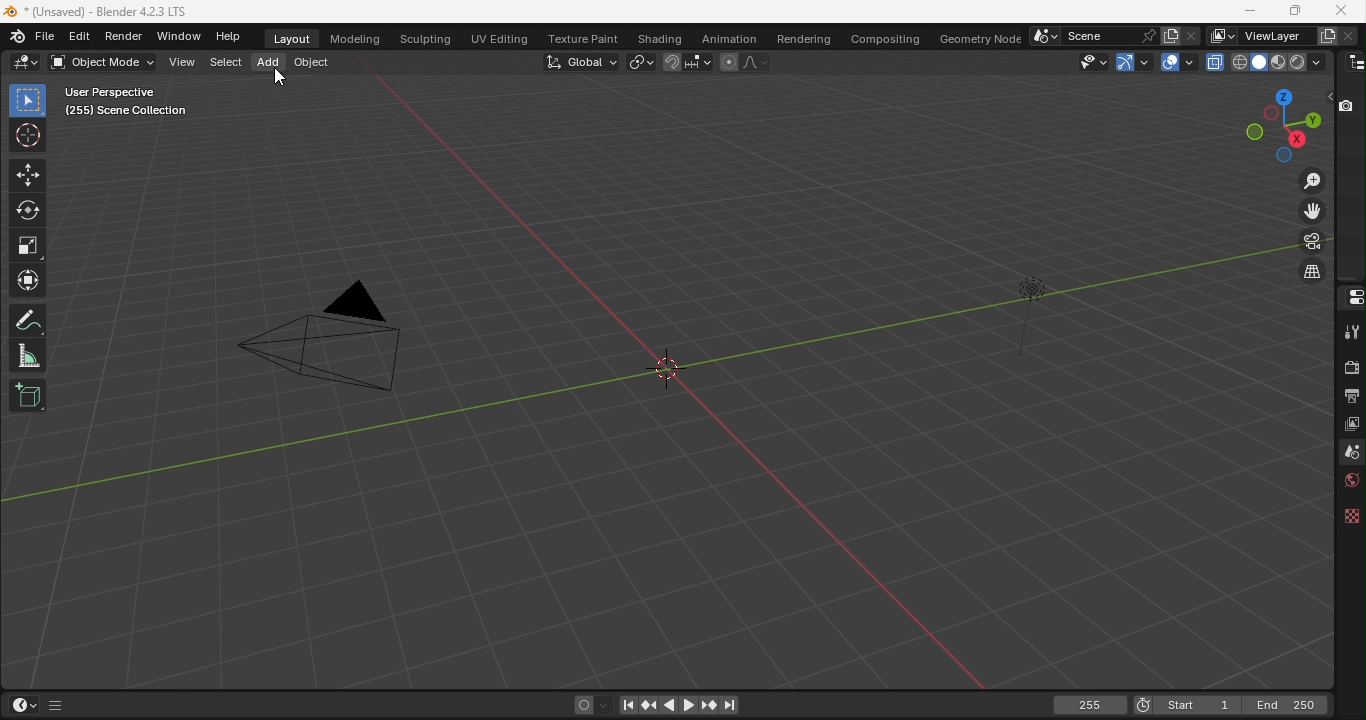  I want to click on Proportional editing objects, so click(728, 62).